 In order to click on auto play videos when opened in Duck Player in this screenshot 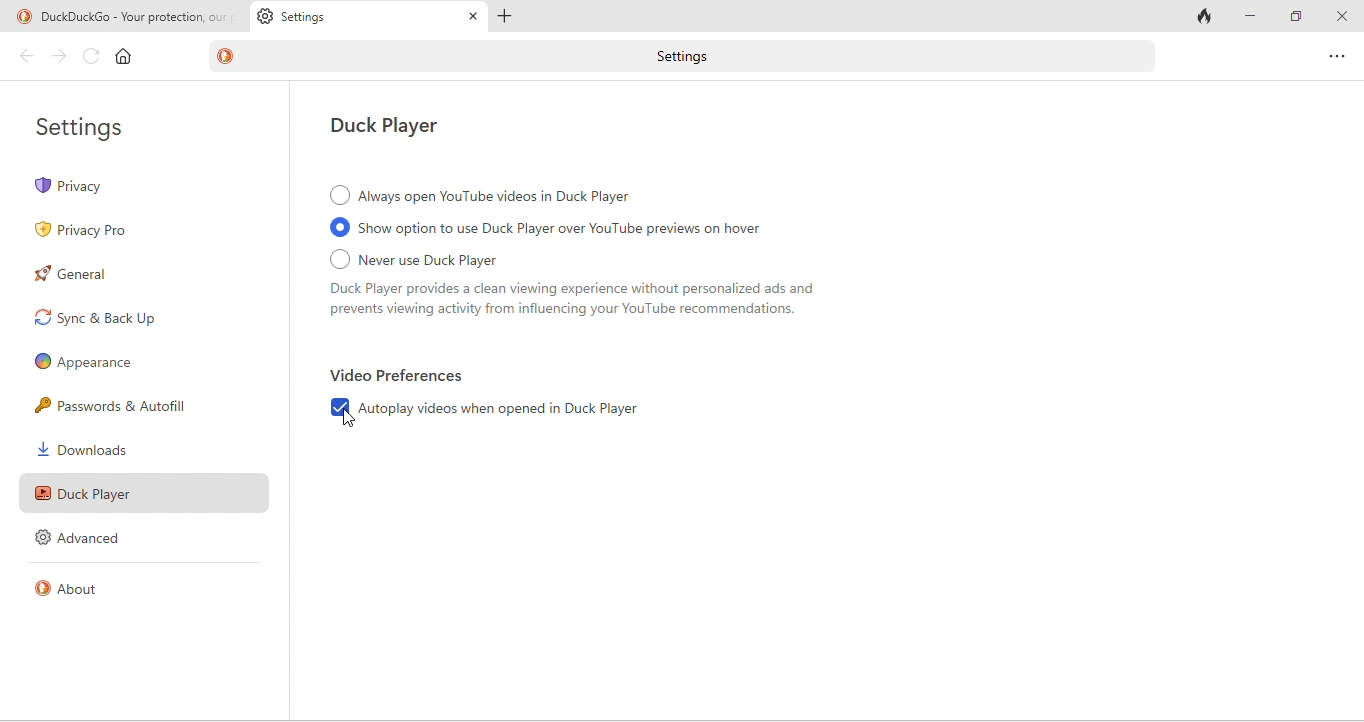, I will do `click(495, 411)`.